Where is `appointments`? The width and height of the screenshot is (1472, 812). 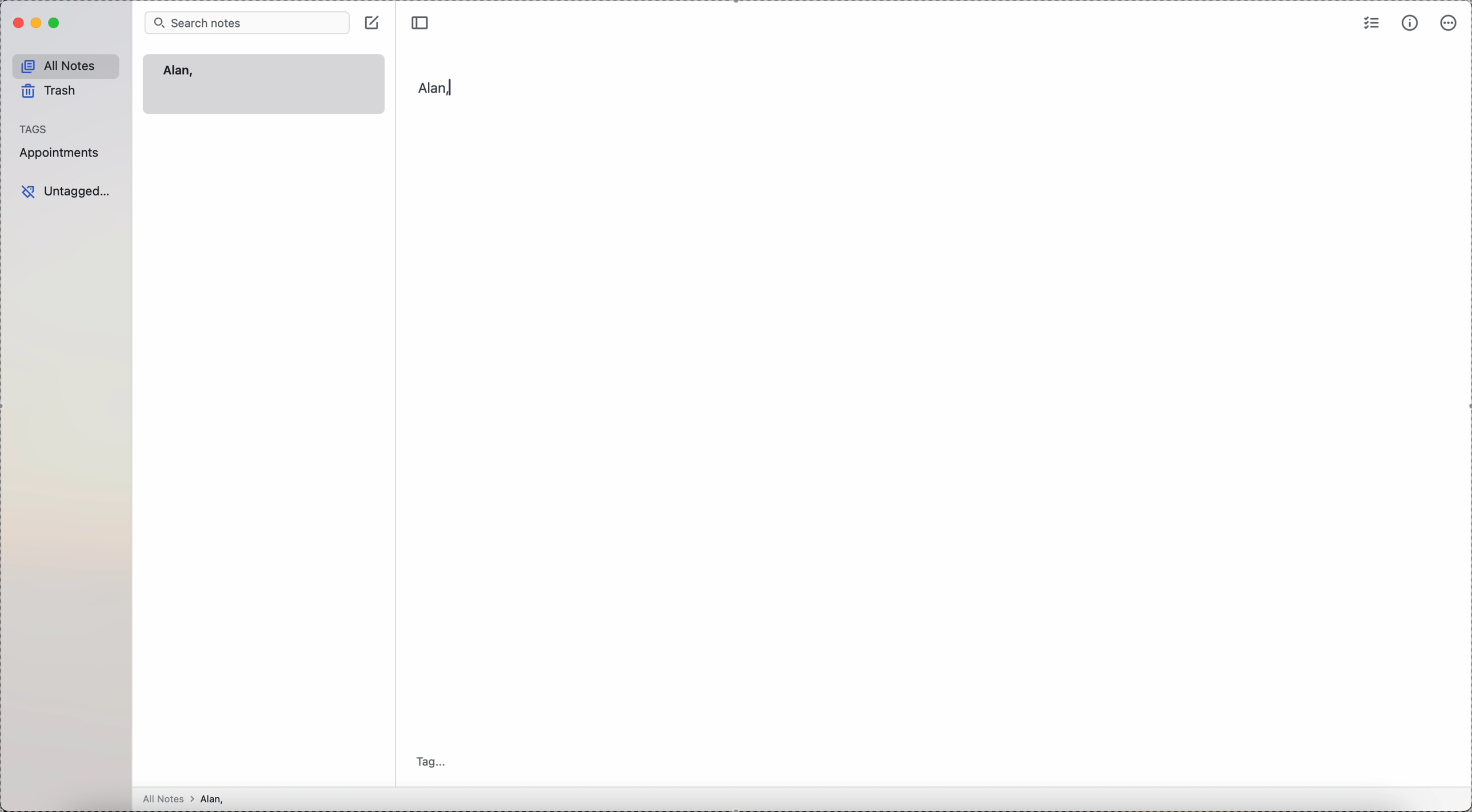 appointments is located at coordinates (62, 153).